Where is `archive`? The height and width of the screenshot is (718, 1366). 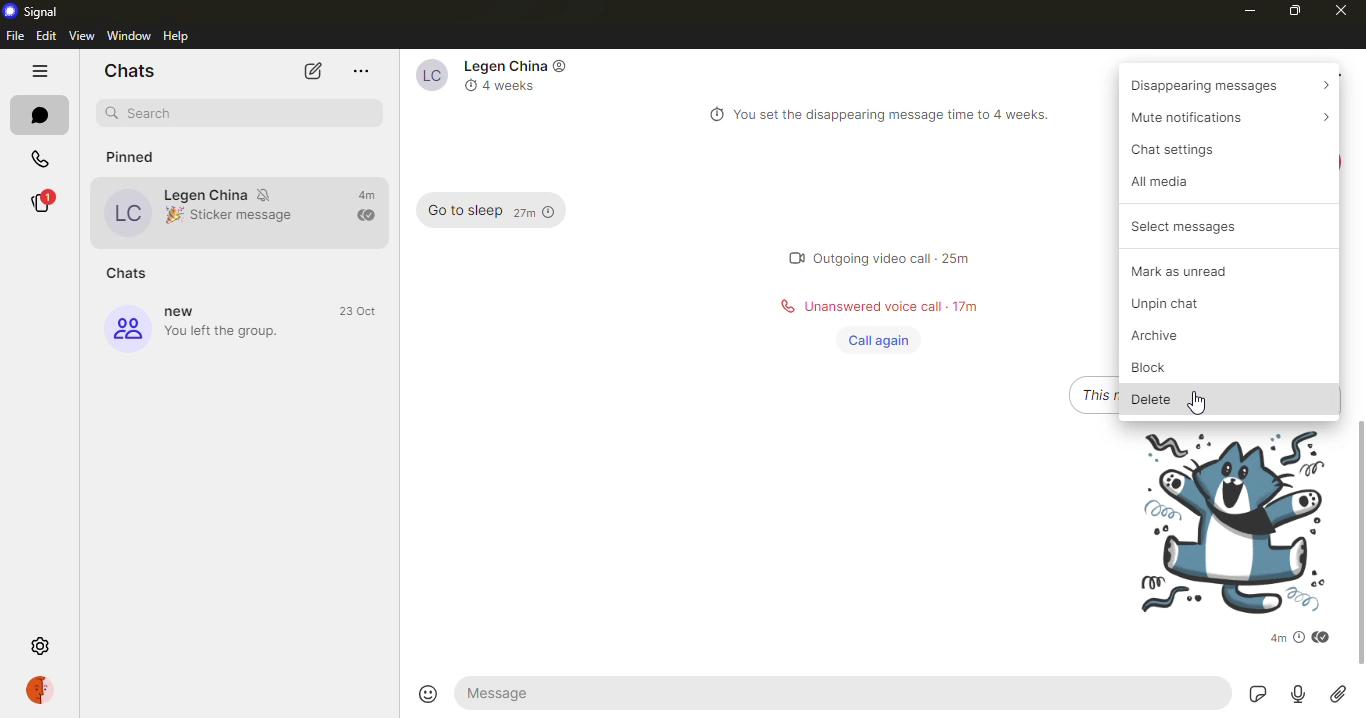
archive is located at coordinates (1165, 335).